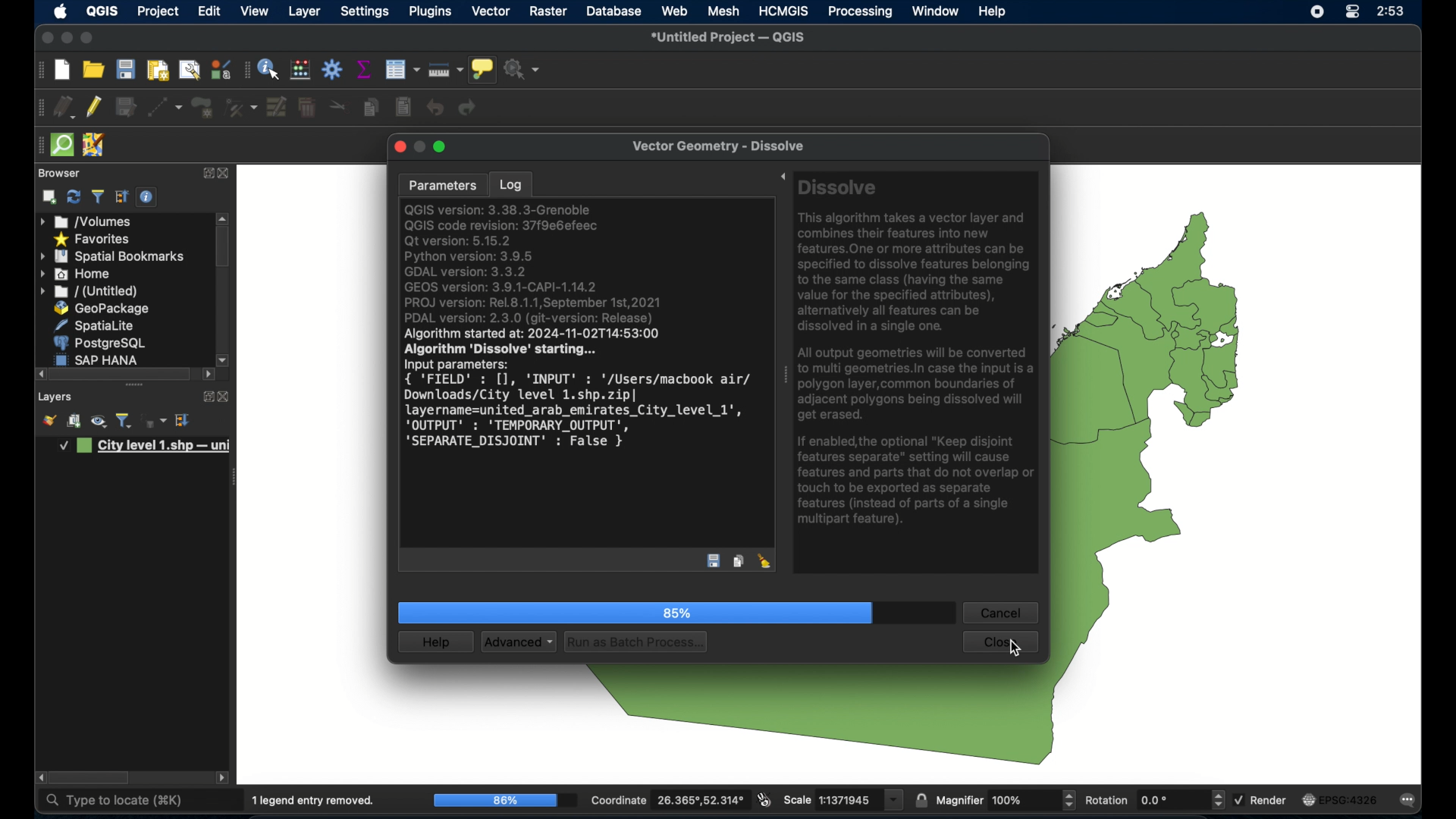 The height and width of the screenshot is (819, 1456). What do you see at coordinates (93, 240) in the screenshot?
I see `favorites` at bounding box center [93, 240].